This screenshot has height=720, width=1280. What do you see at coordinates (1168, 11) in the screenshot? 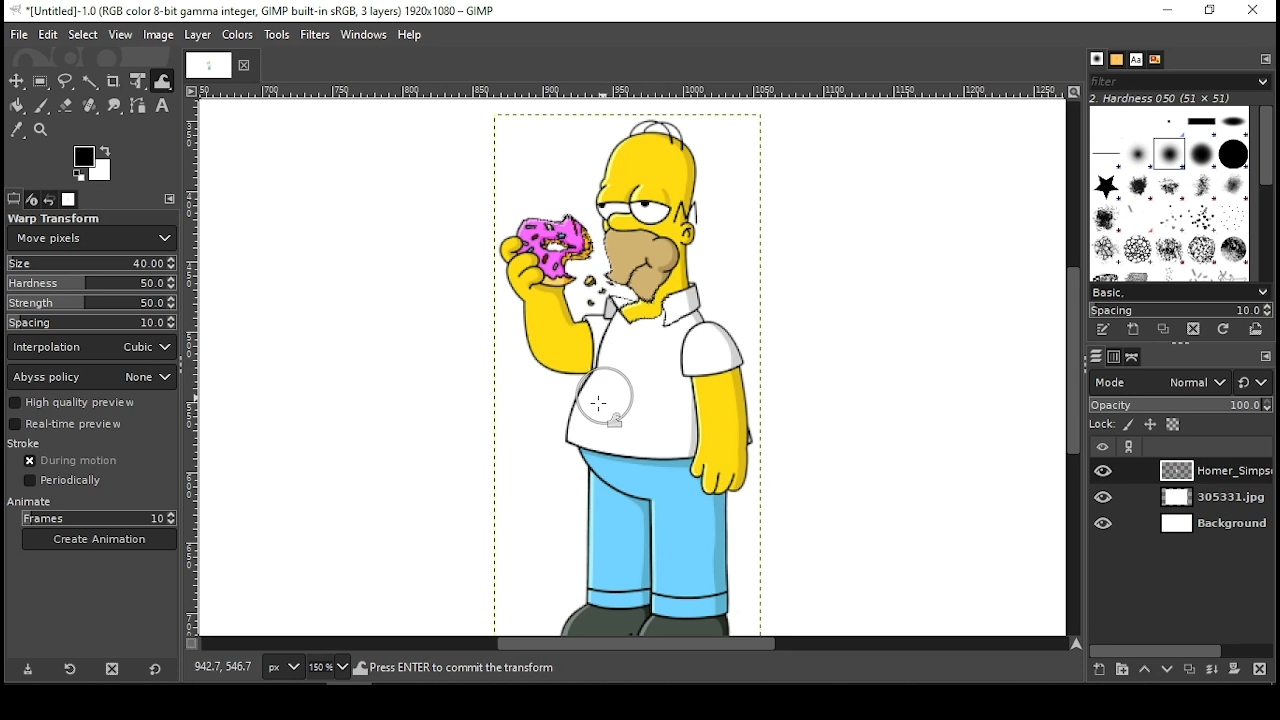
I see `minimize` at bounding box center [1168, 11].